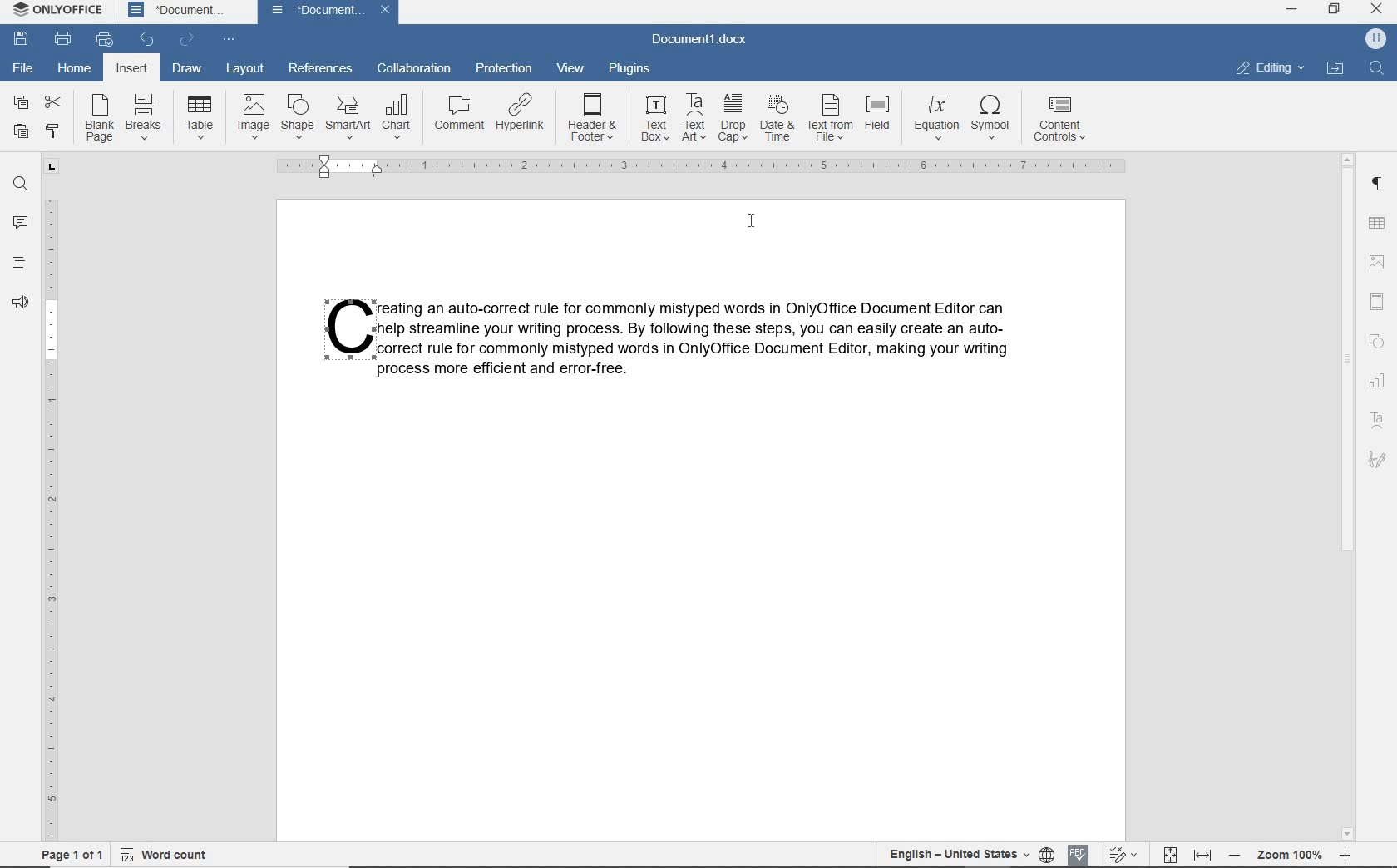 This screenshot has width=1397, height=868. Describe the element at coordinates (1380, 420) in the screenshot. I see `text art` at that location.